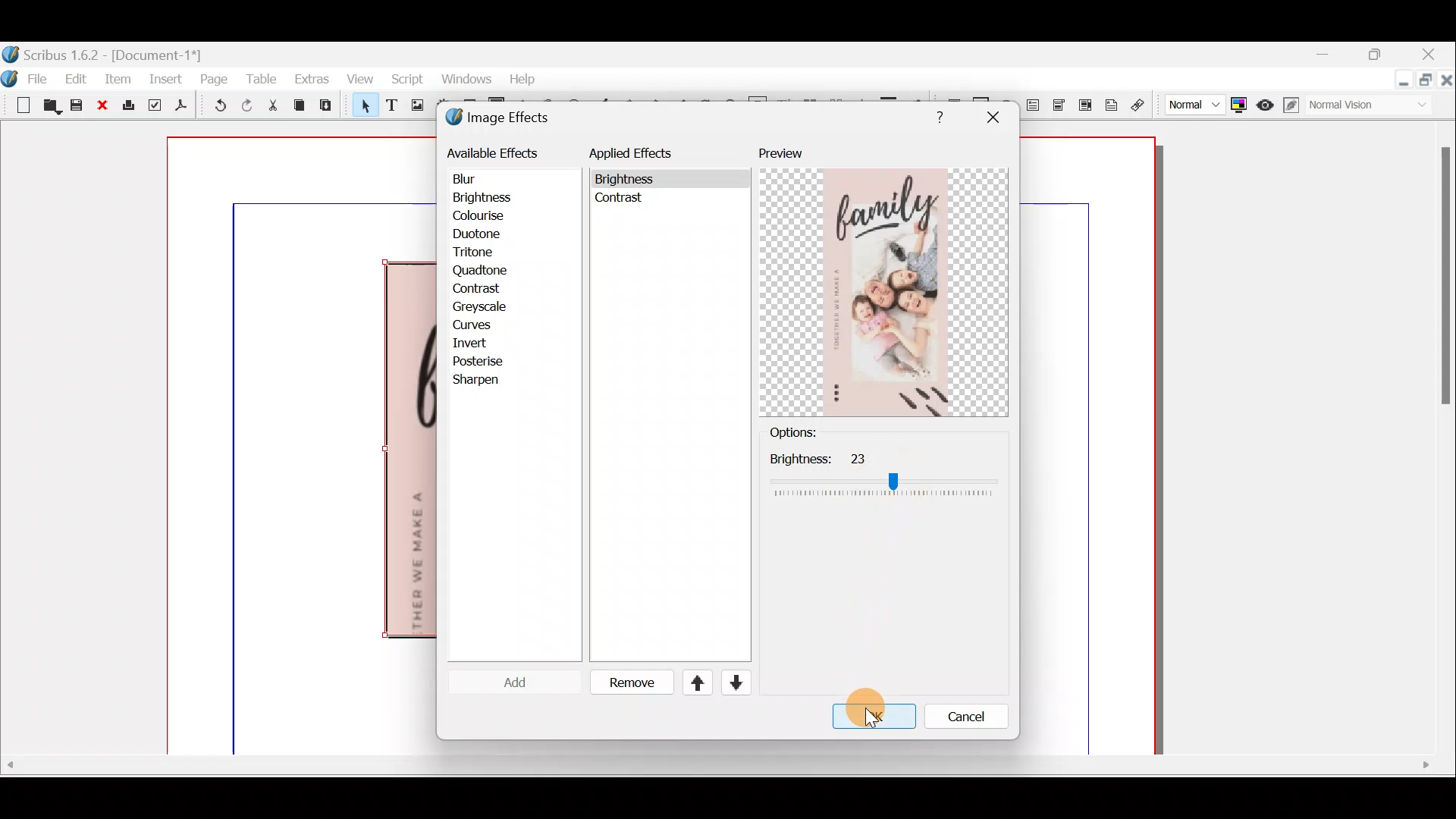 The image size is (1456, 819). What do you see at coordinates (415, 107) in the screenshot?
I see `Image frame` at bounding box center [415, 107].